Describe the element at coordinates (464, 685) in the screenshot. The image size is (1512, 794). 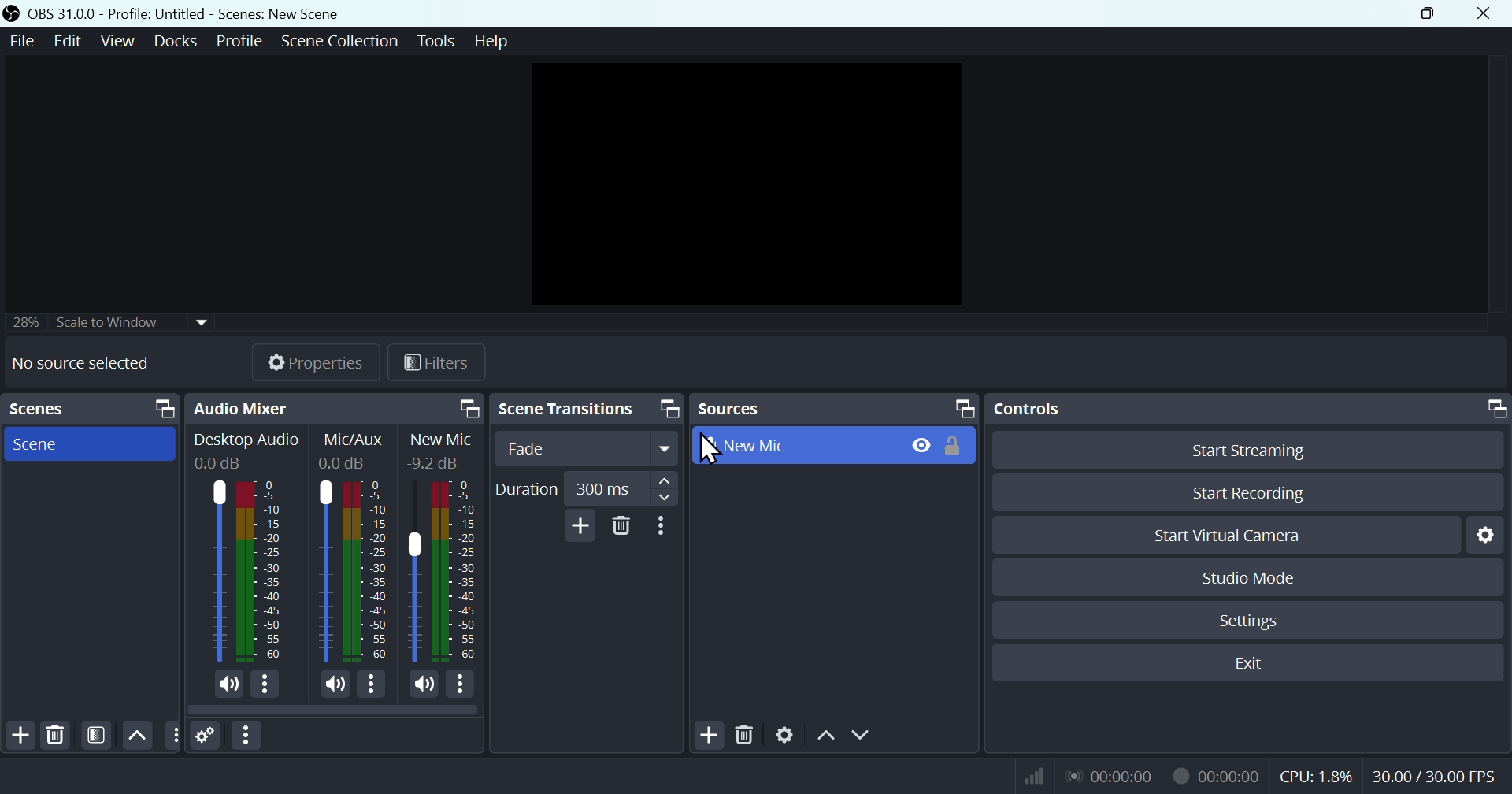
I see `More Options` at that location.